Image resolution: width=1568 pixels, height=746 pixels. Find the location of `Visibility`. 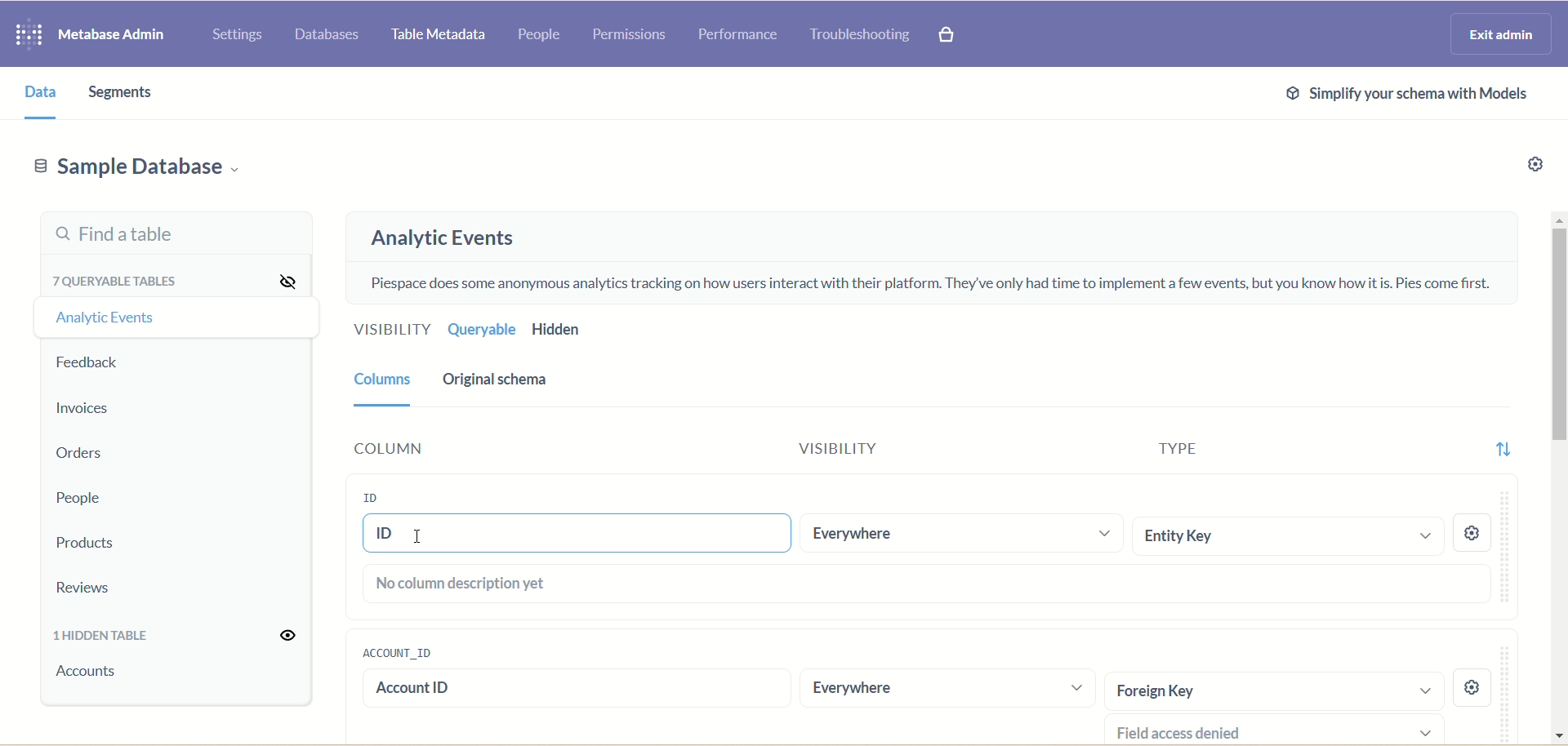

Visibility is located at coordinates (385, 331).